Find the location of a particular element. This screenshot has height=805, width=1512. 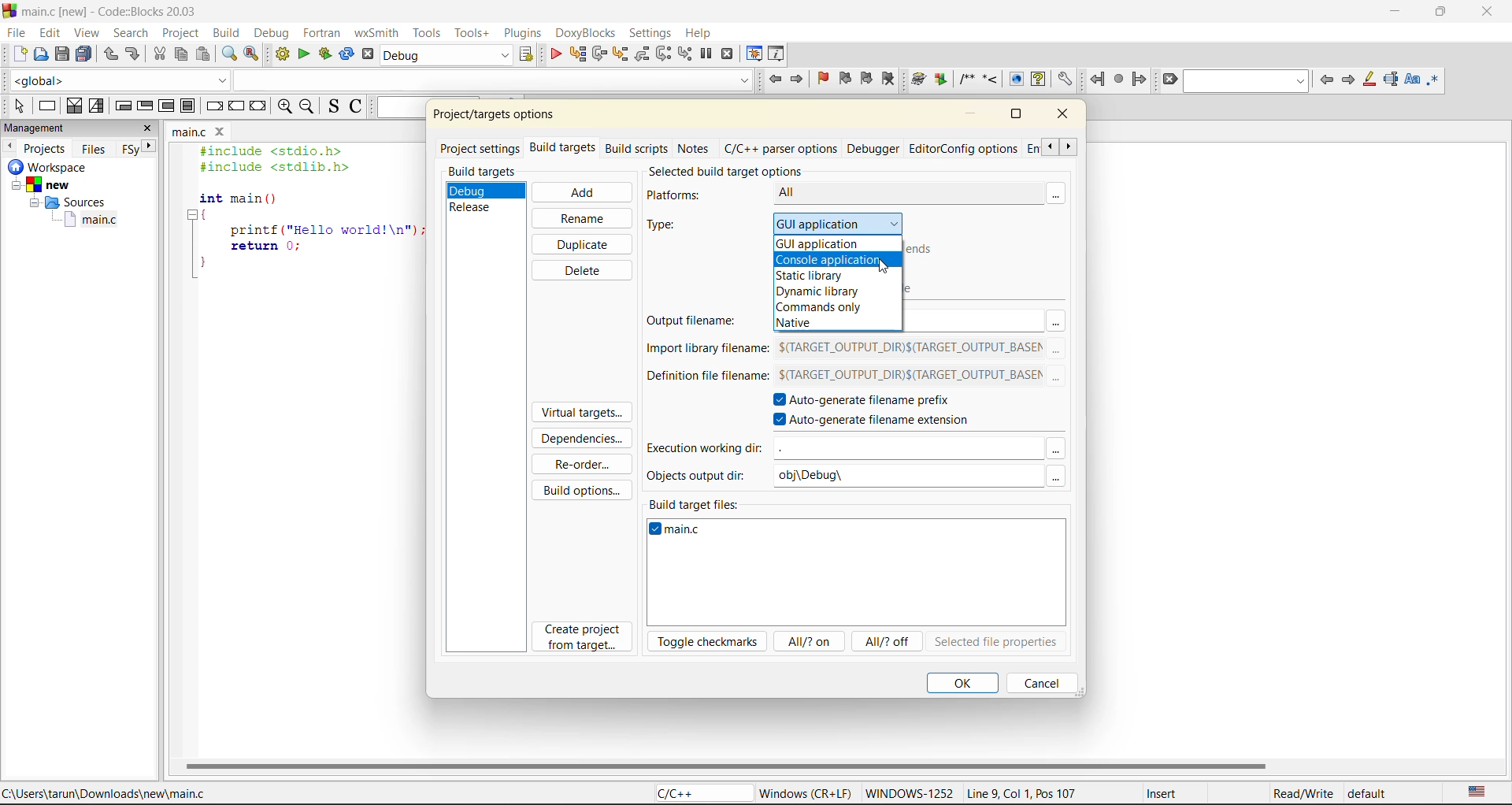

counting loop is located at coordinates (166, 107).